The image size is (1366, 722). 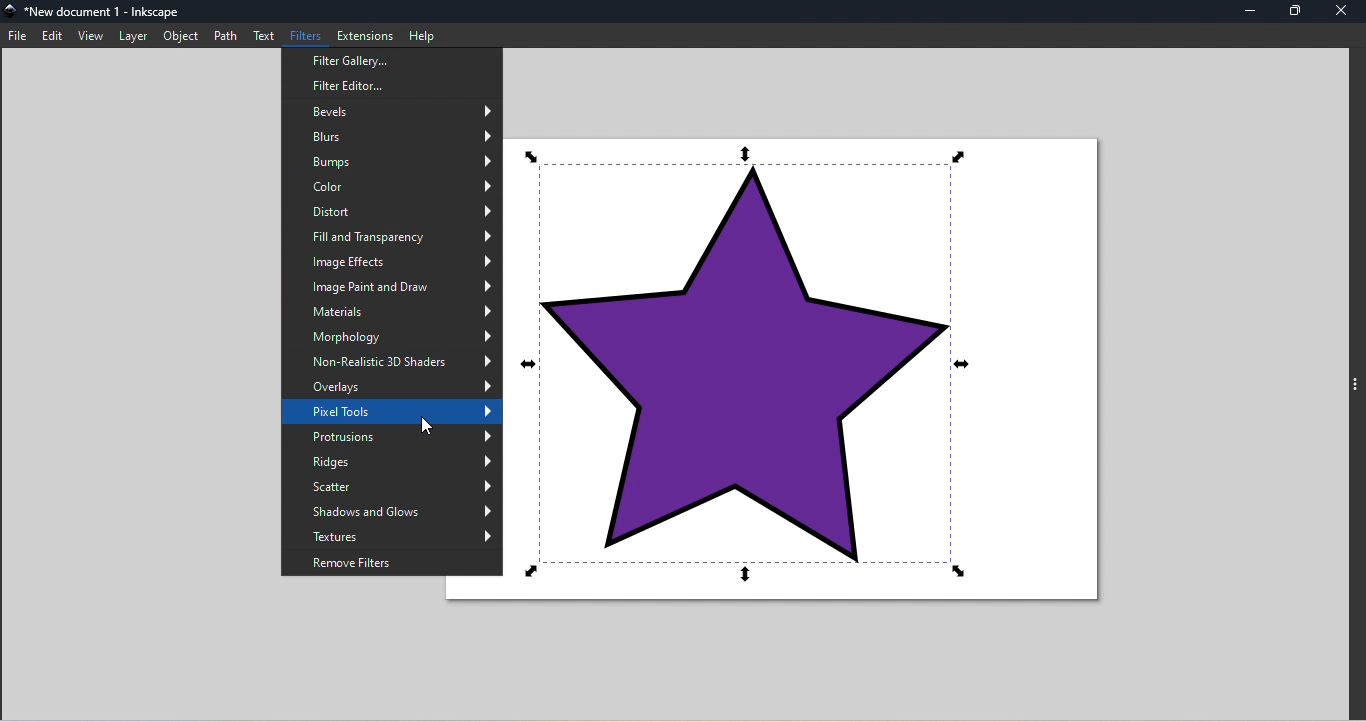 I want to click on Textures, so click(x=386, y=535).